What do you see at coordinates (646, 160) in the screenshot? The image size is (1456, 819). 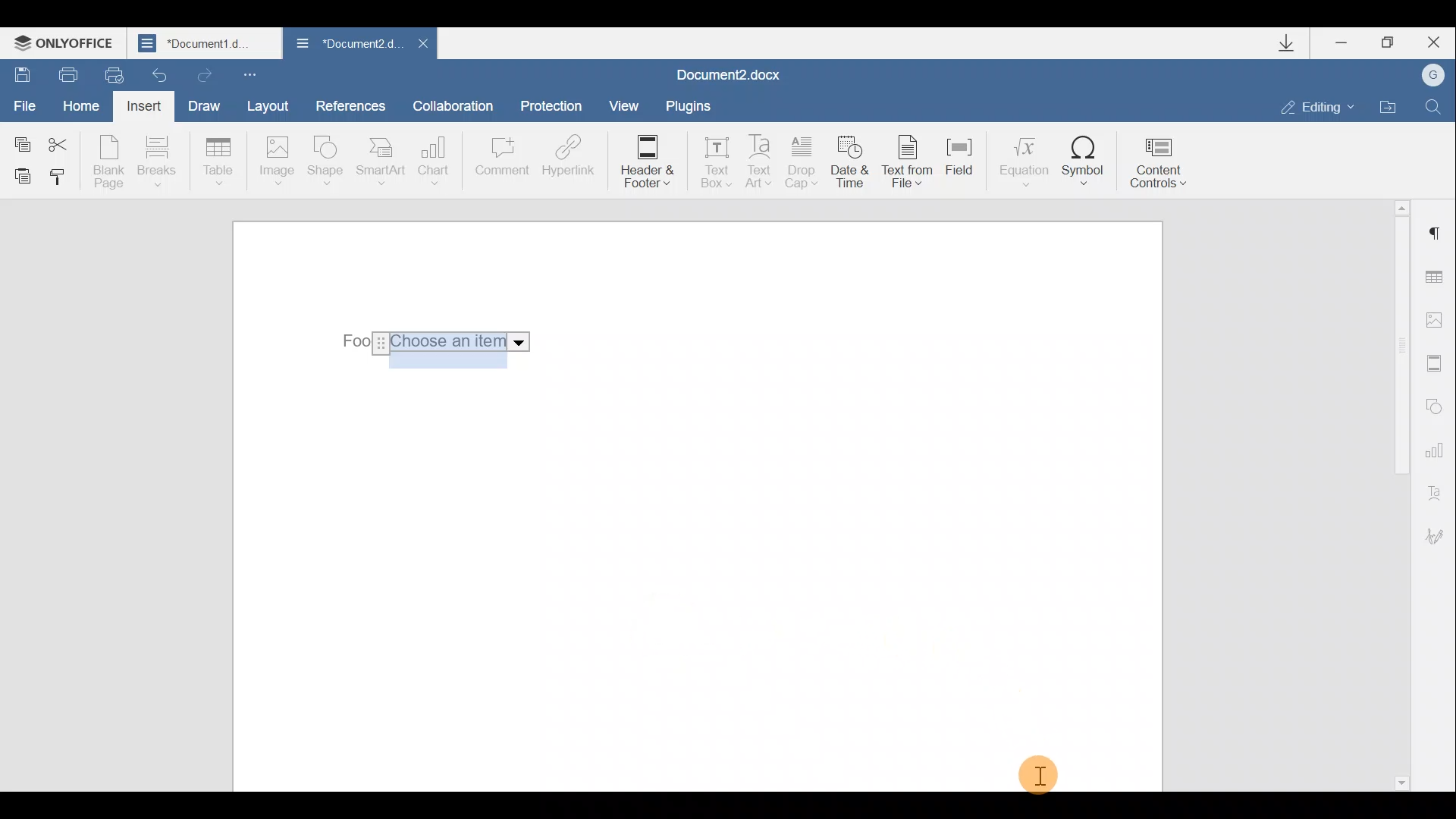 I see `Header & footer` at bounding box center [646, 160].